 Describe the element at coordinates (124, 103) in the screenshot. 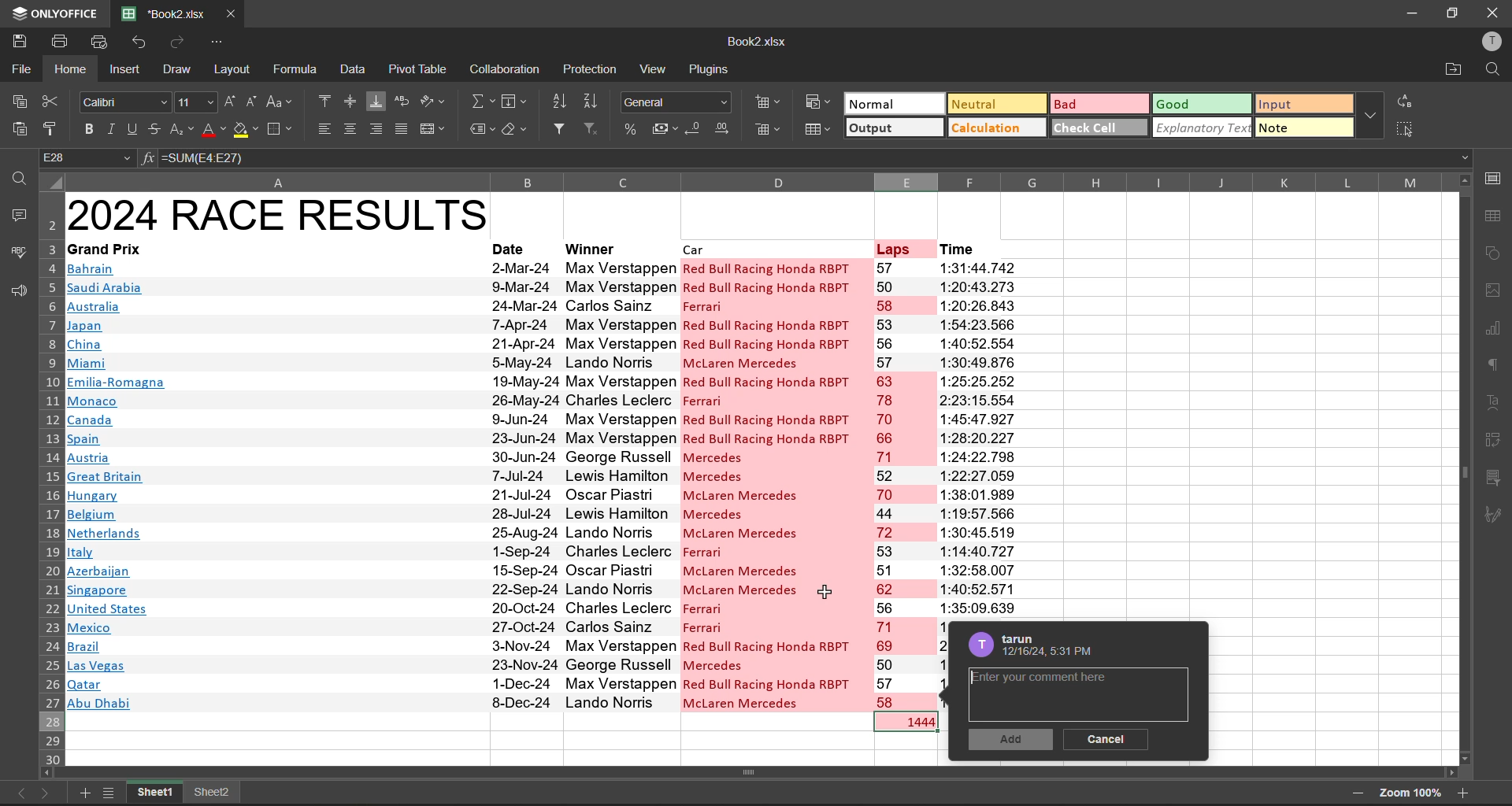

I see `font style` at that location.